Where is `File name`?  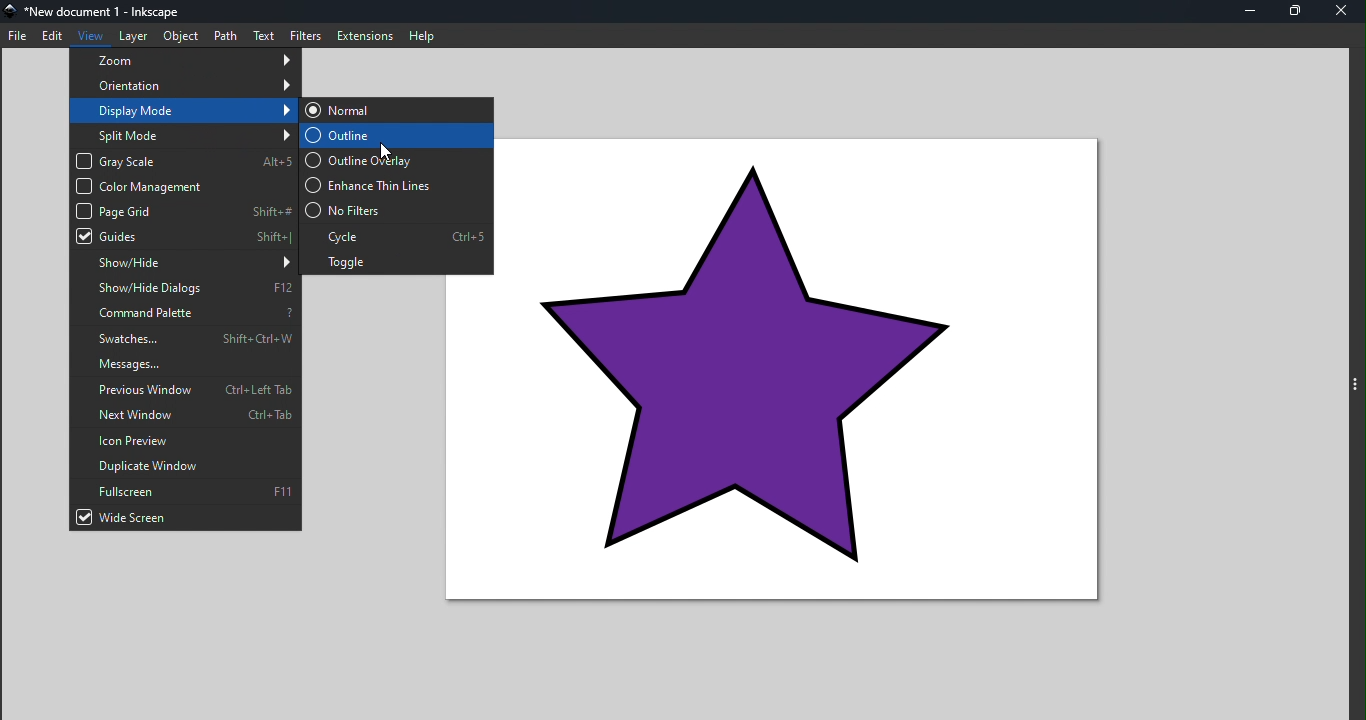
File name is located at coordinates (97, 14).